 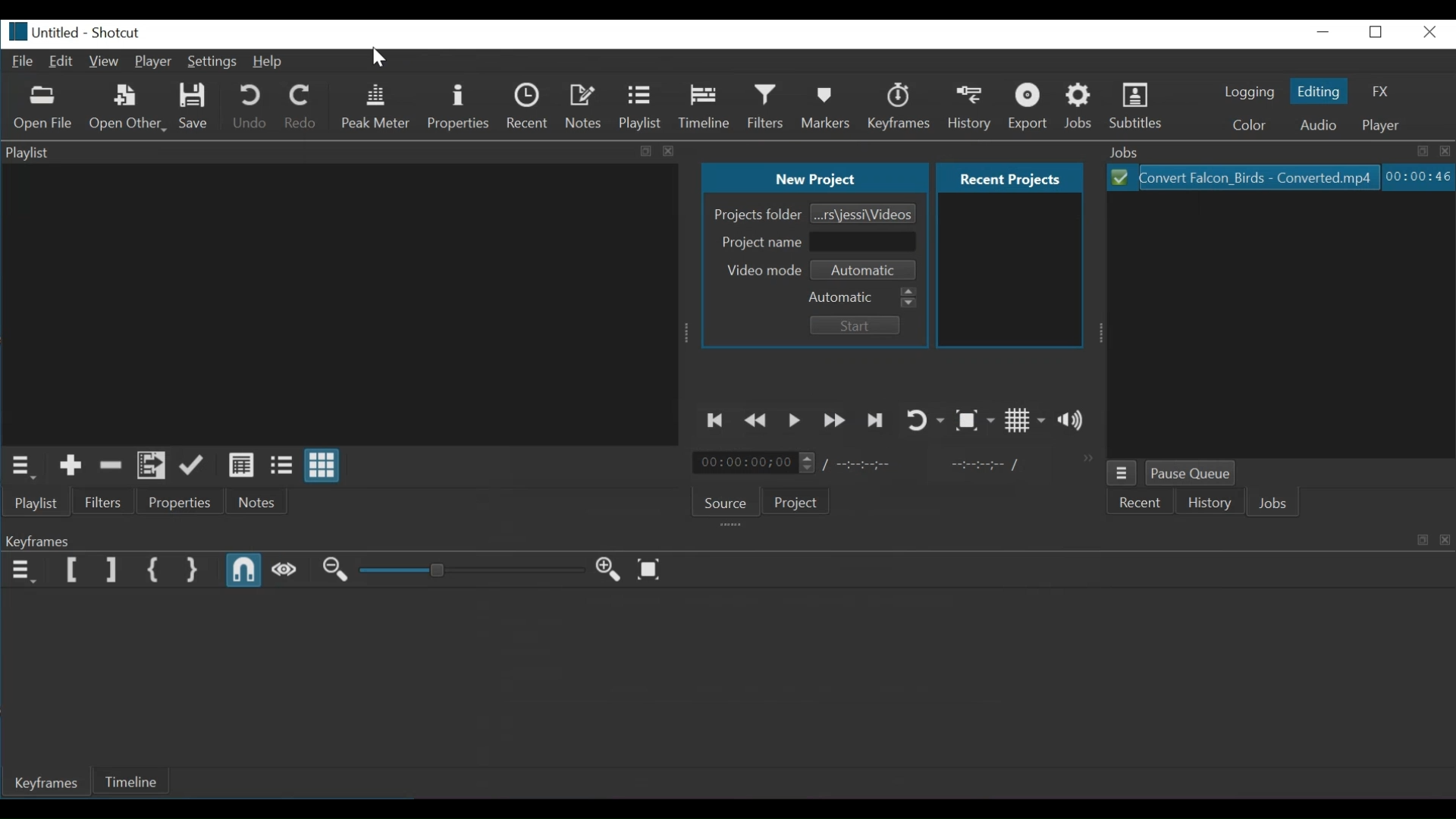 What do you see at coordinates (1214, 504) in the screenshot?
I see `History` at bounding box center [1214, 504].